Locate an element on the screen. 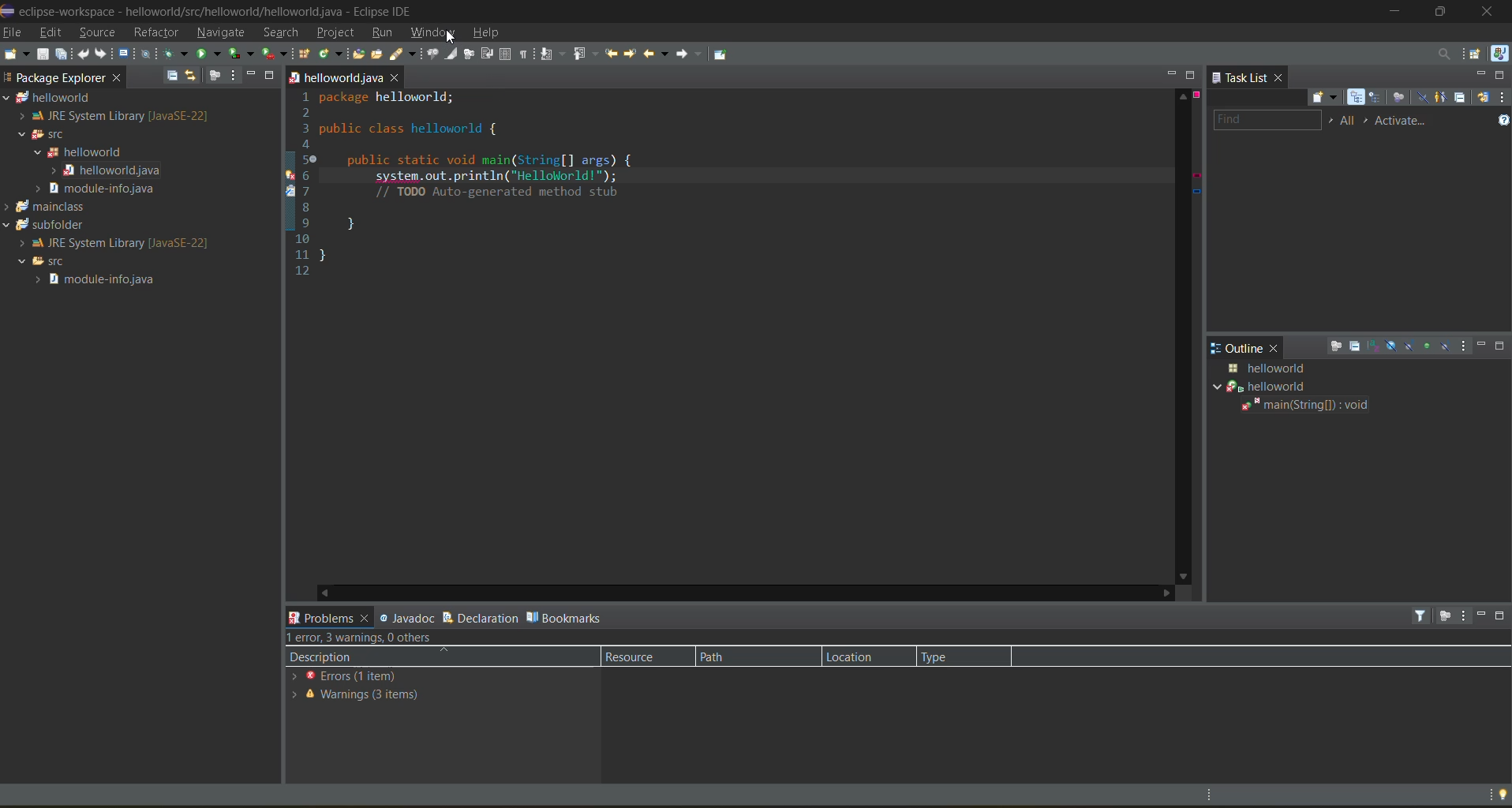  show tasks UI legend is located at coordinates (1503, 119).